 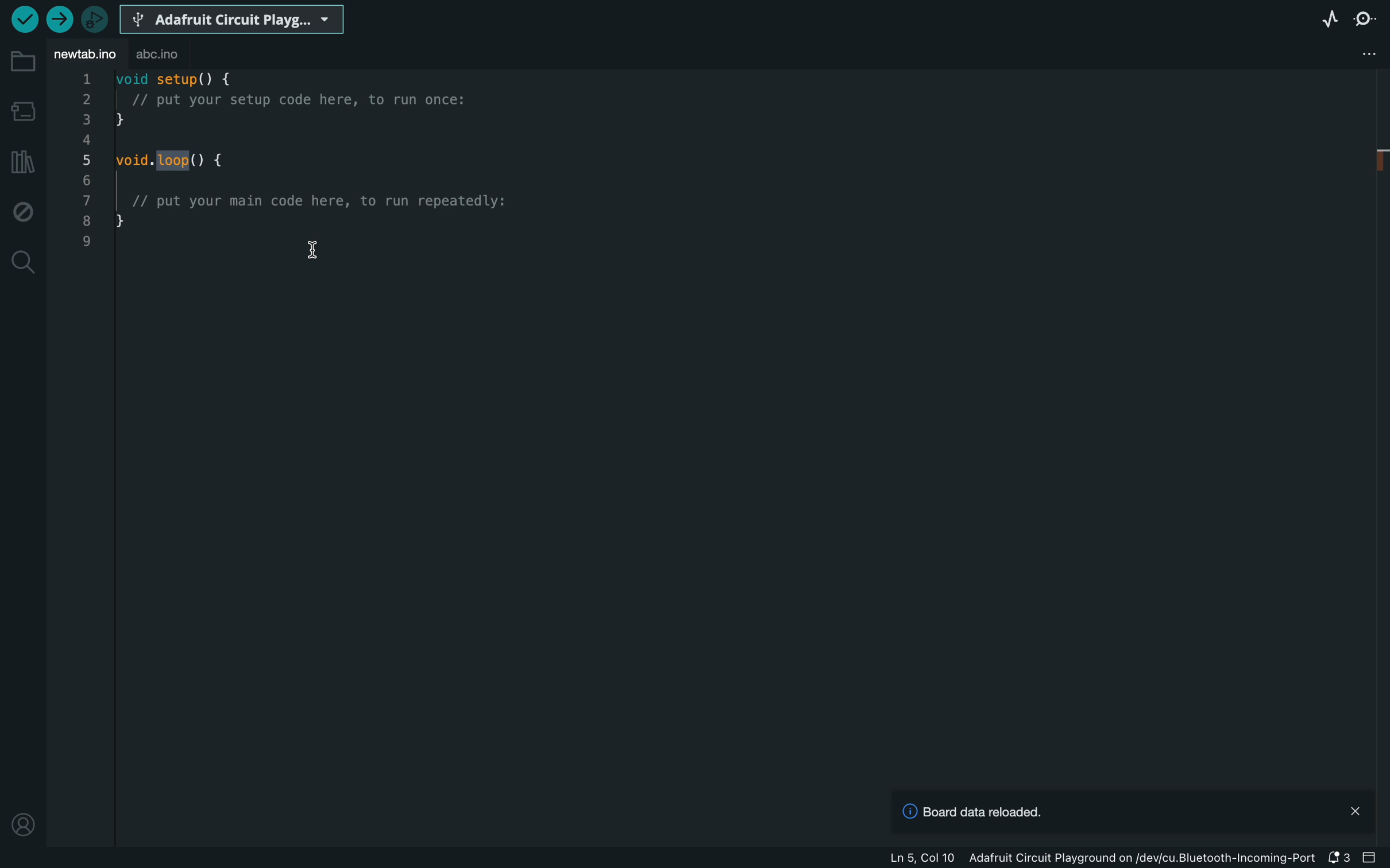 I want to click on Ln 5, Col 10, so click(x=921, y=858).